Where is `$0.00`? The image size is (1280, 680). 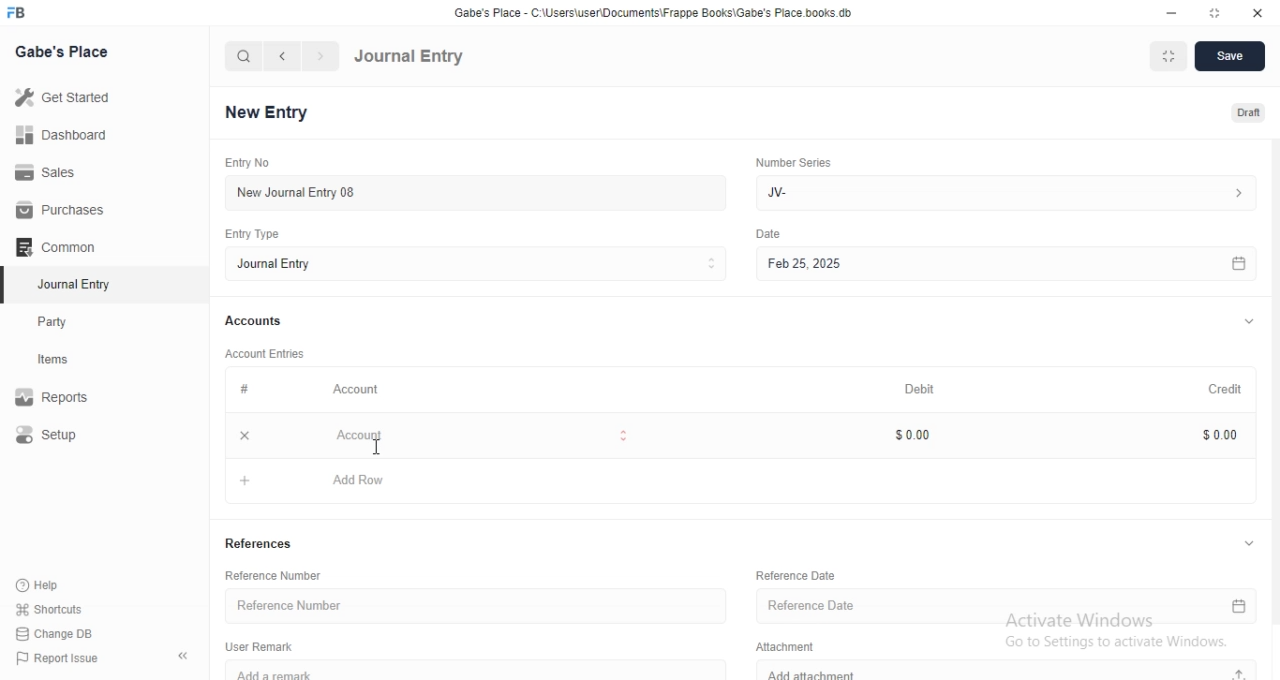
$0.00 is located at coordinates (1210, 434).